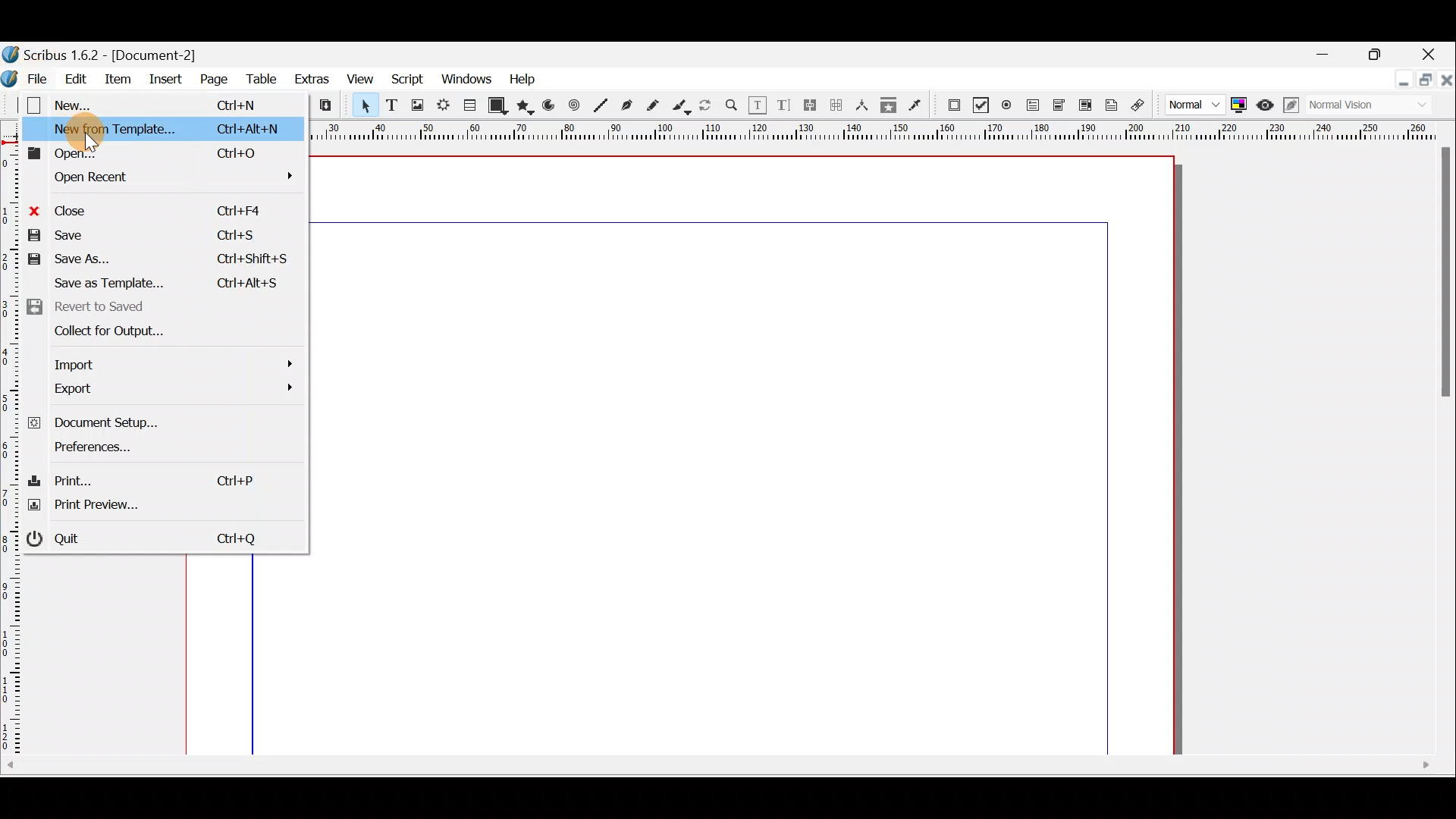  I want to click on Save, so click(162, 234).